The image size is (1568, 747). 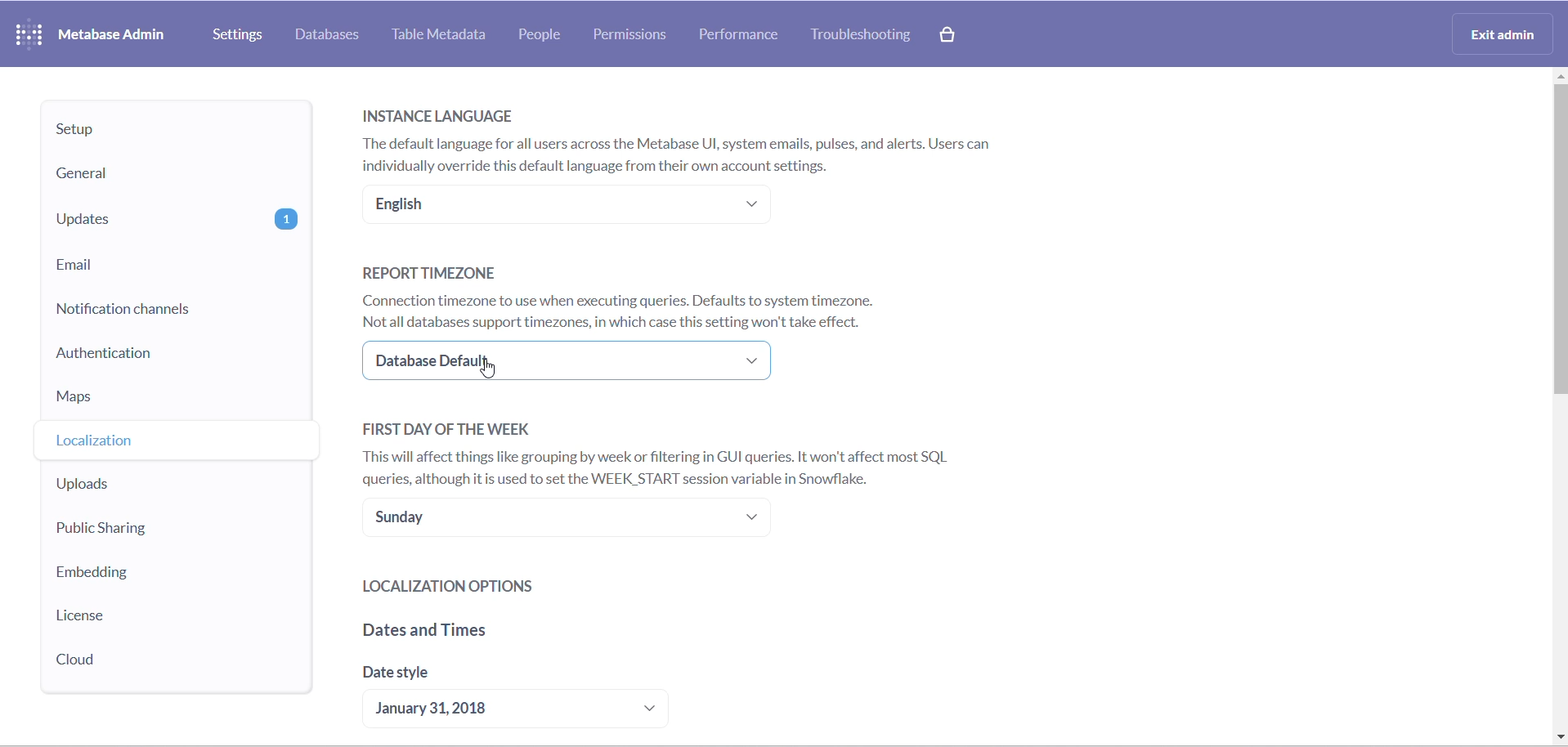 I want to click on NOTIFICATION CHANNELS, so click(x=173, y=310).